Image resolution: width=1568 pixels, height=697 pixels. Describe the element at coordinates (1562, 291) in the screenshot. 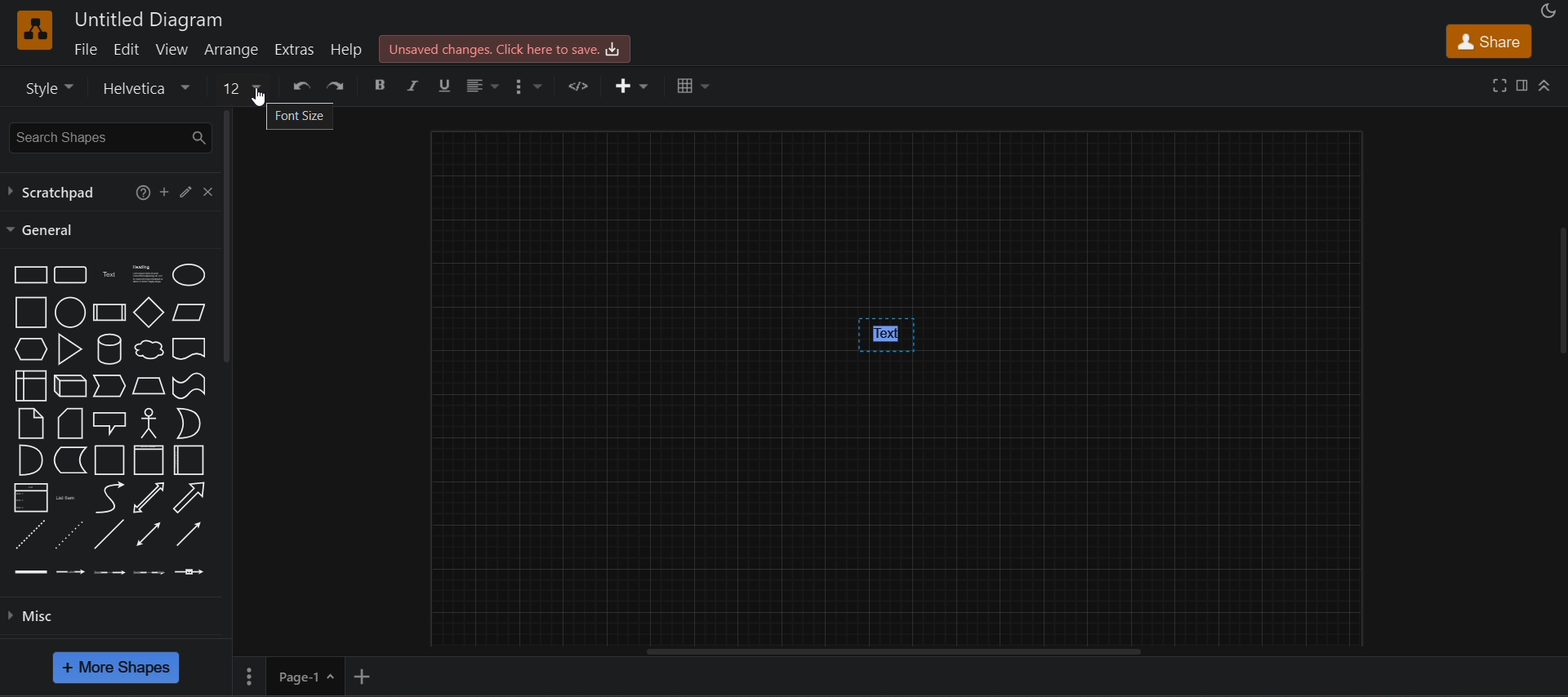

I see `Vertical slide bar` at that location.